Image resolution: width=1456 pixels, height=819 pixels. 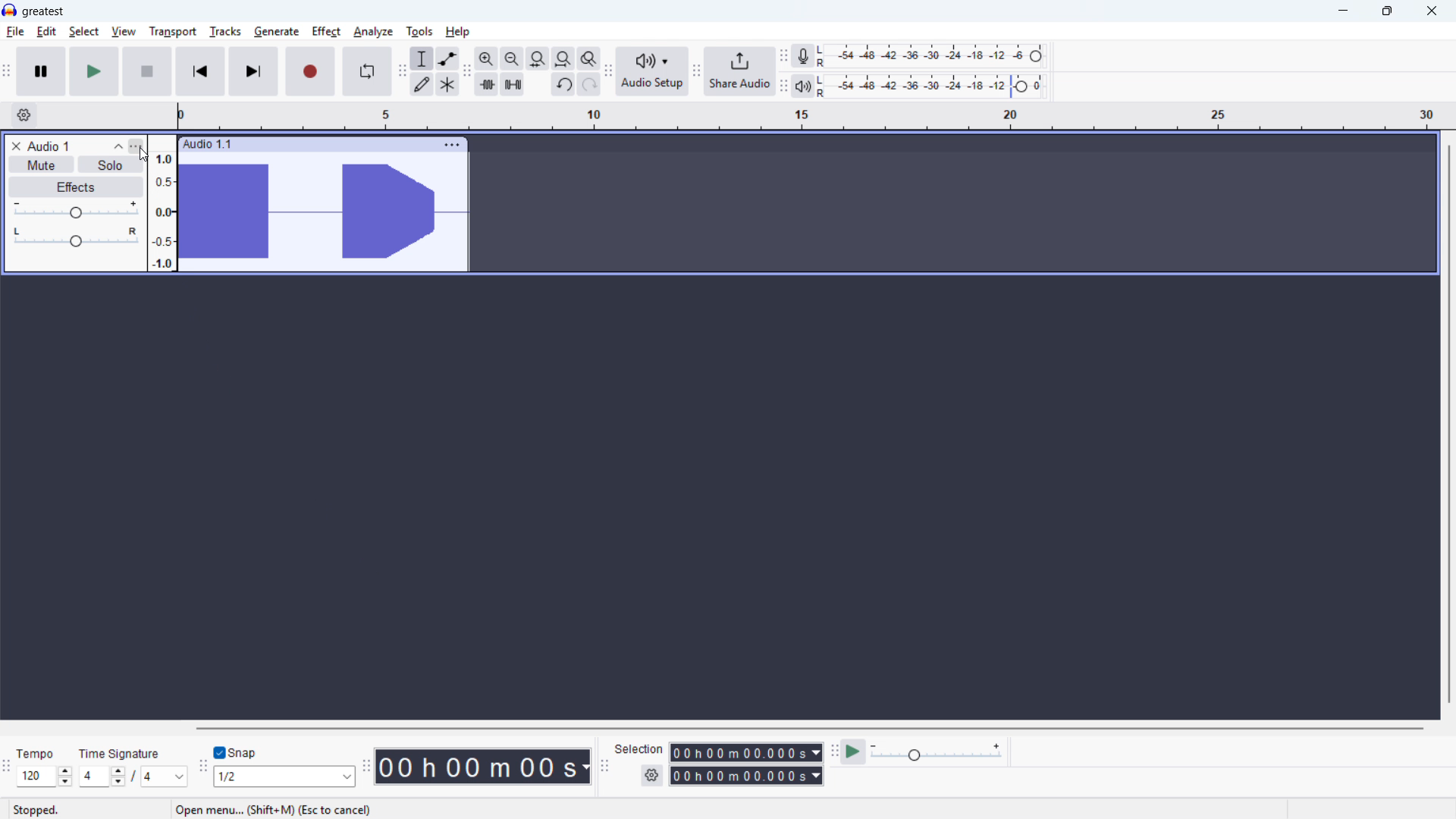 I want to click on fit selection to width, so click(x=538, y=58).